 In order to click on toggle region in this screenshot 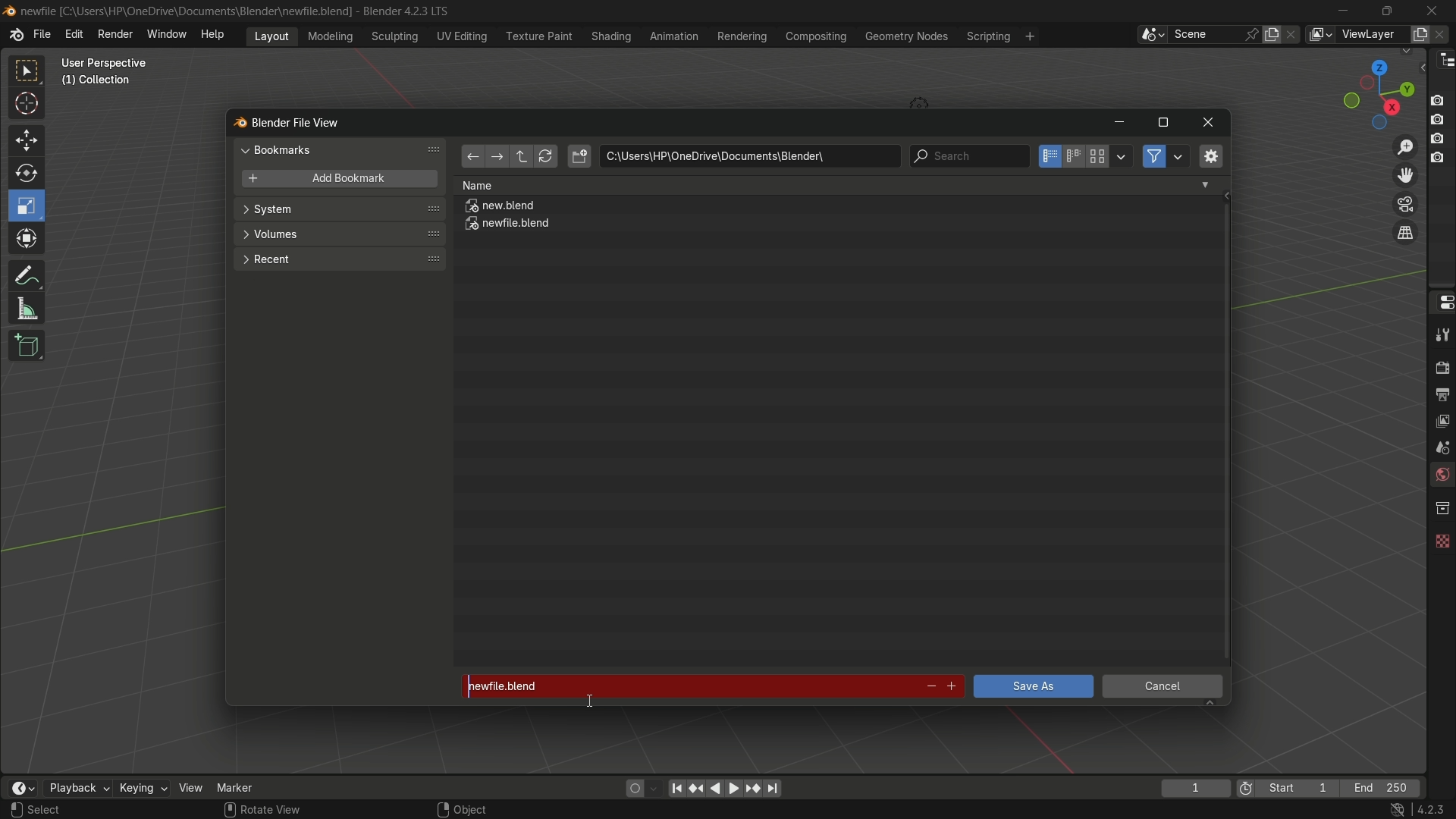, I will do `click(1210, 155)`.